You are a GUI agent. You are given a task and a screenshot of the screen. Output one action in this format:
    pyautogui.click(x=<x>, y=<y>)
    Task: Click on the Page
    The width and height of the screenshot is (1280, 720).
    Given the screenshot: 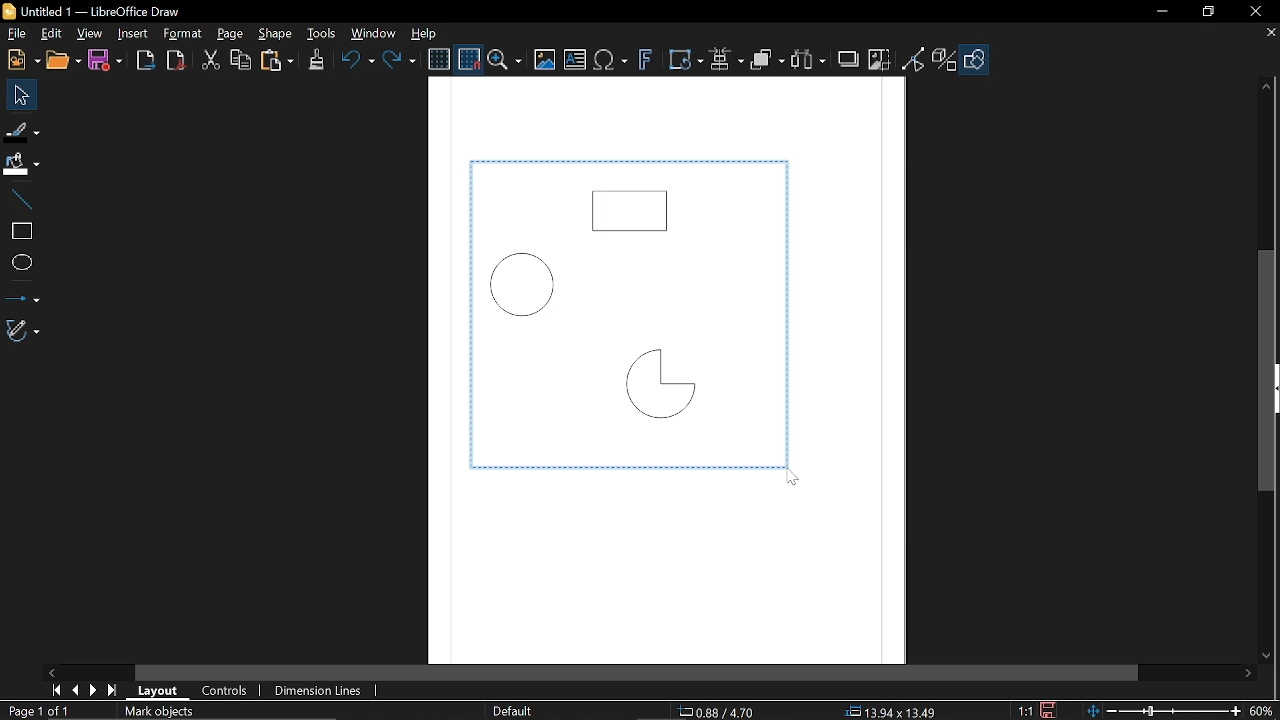 What is the action you would take?
    pyautogui.click(x=226, y=35)
    